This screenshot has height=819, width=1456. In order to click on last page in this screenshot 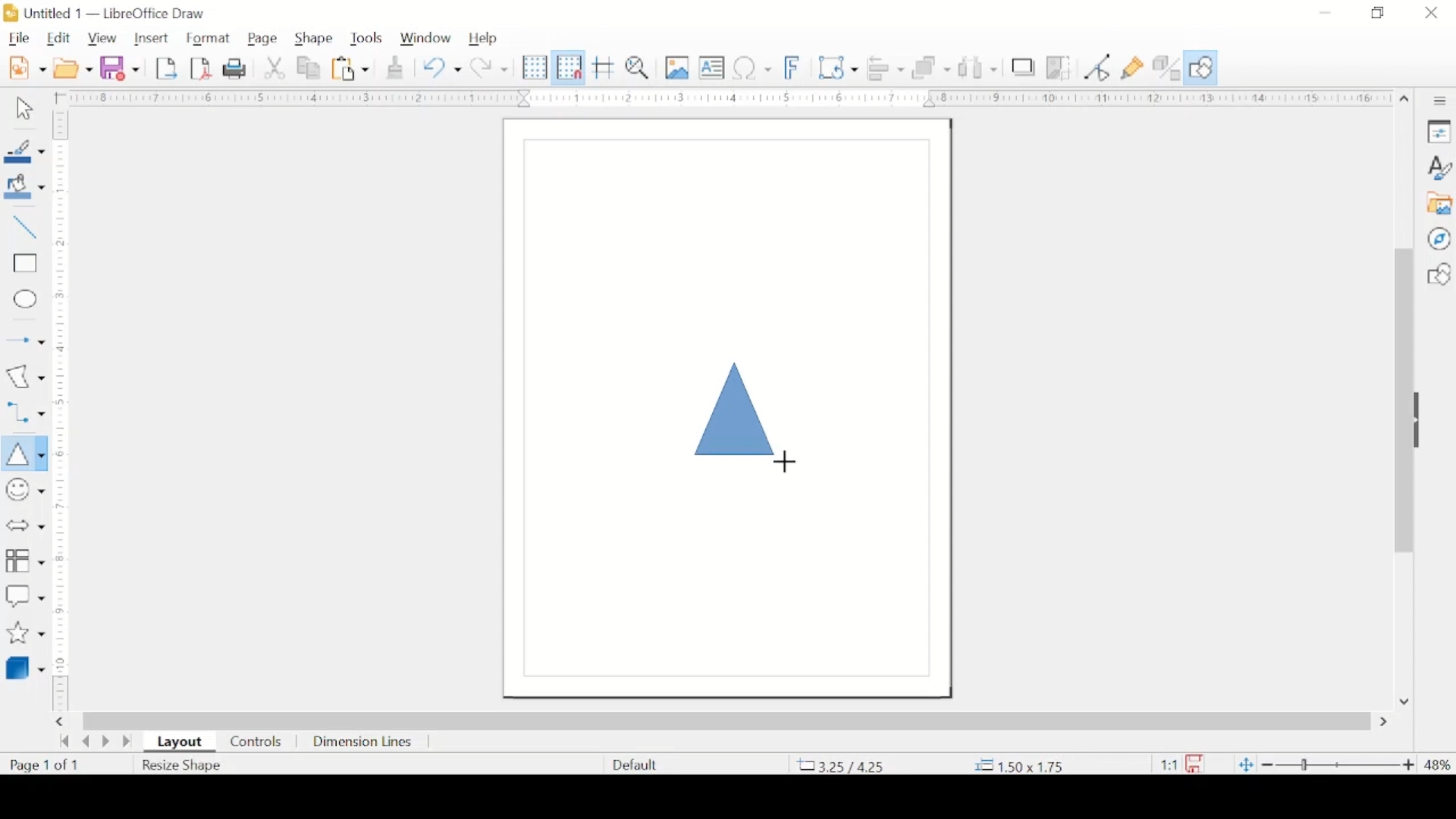, I will do `click(127, 742)`.